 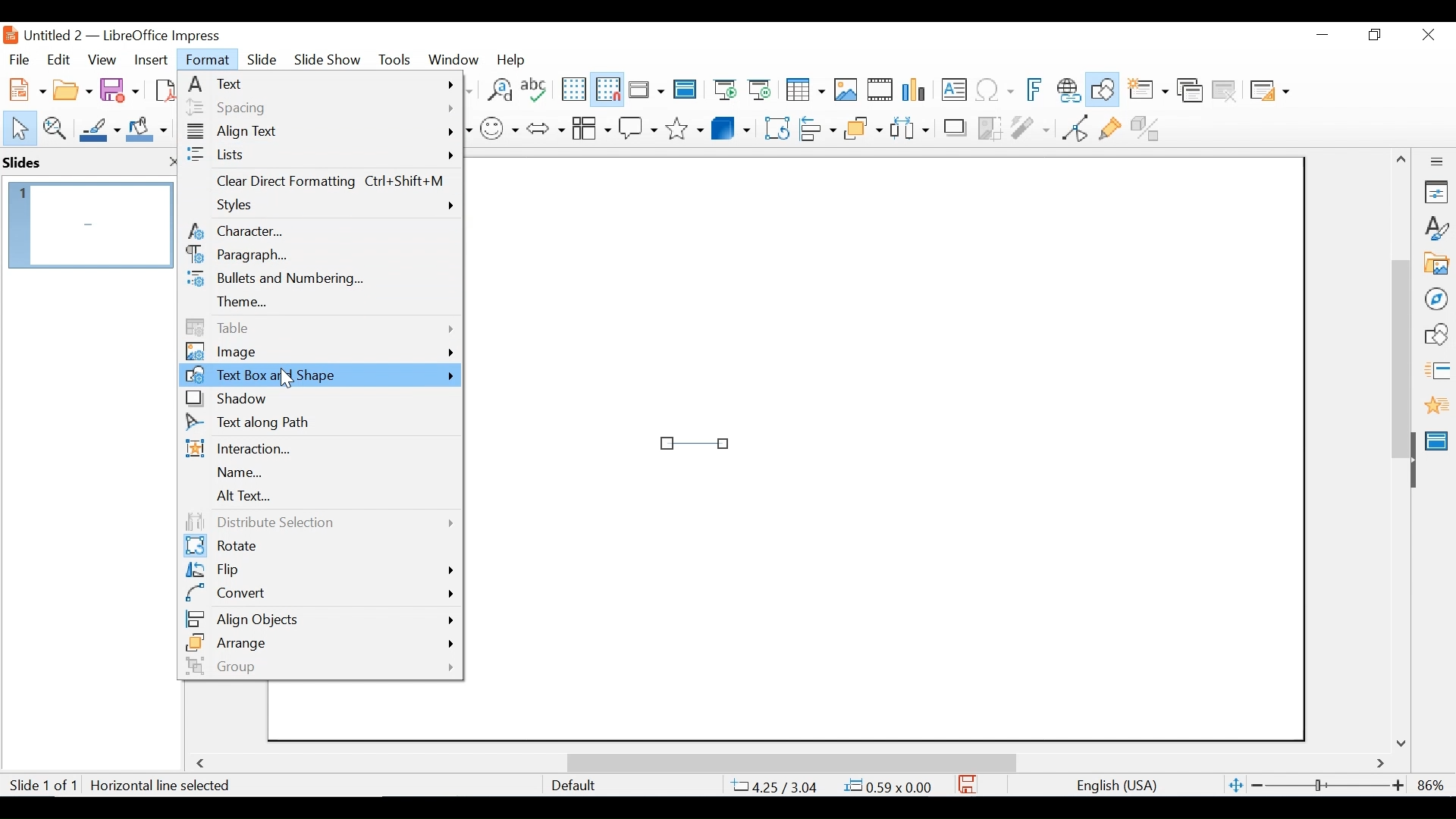 I want to click on LibreOffice Desktop Icon, so click(x=9, y=35).